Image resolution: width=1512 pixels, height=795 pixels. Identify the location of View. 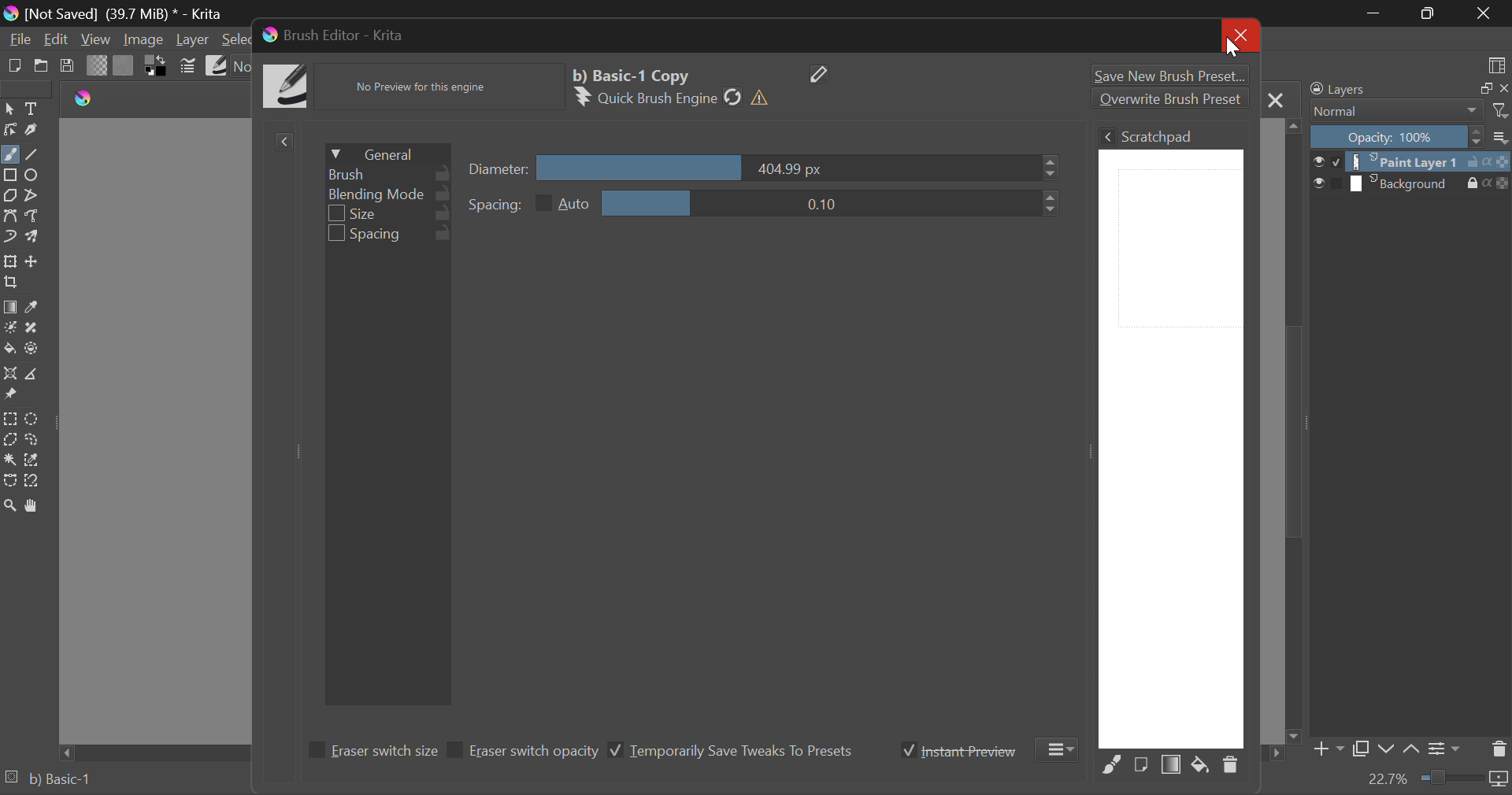
(96, 39).